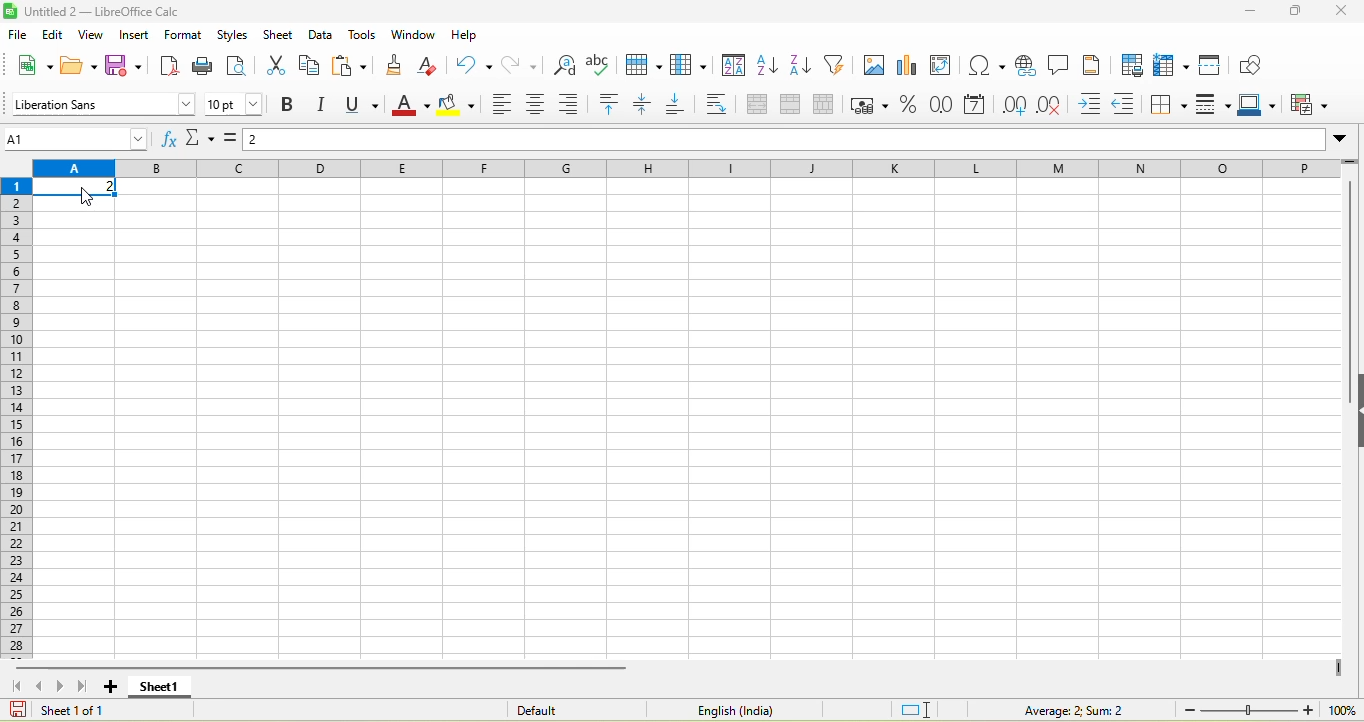  What do you see at coordinates (643, 65) in the screenshot?
I see `row` at bounding box center [643, 65].